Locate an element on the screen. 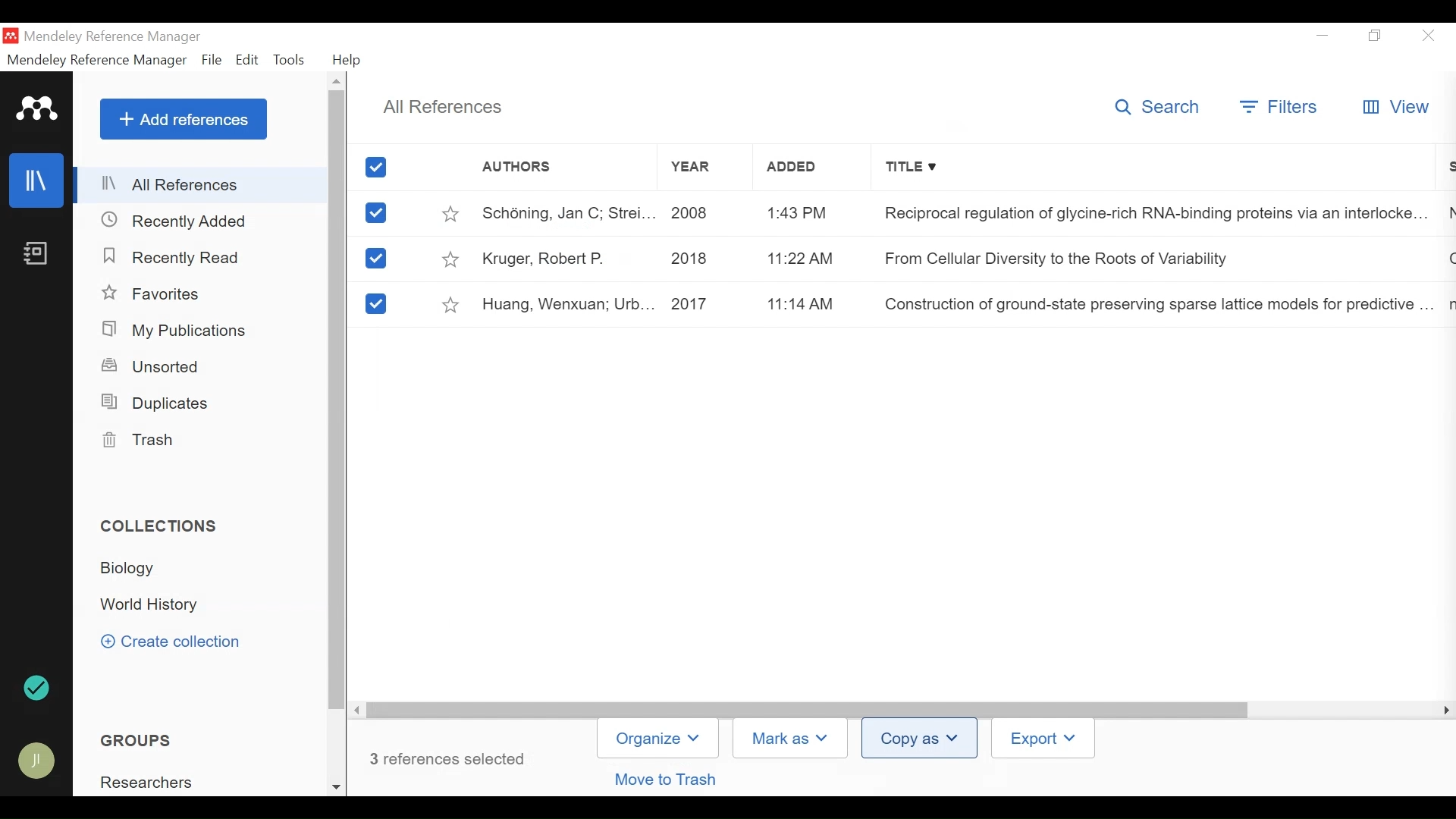 The image size is (1456, 819). Unsorted is located at coordinates (153, 366).